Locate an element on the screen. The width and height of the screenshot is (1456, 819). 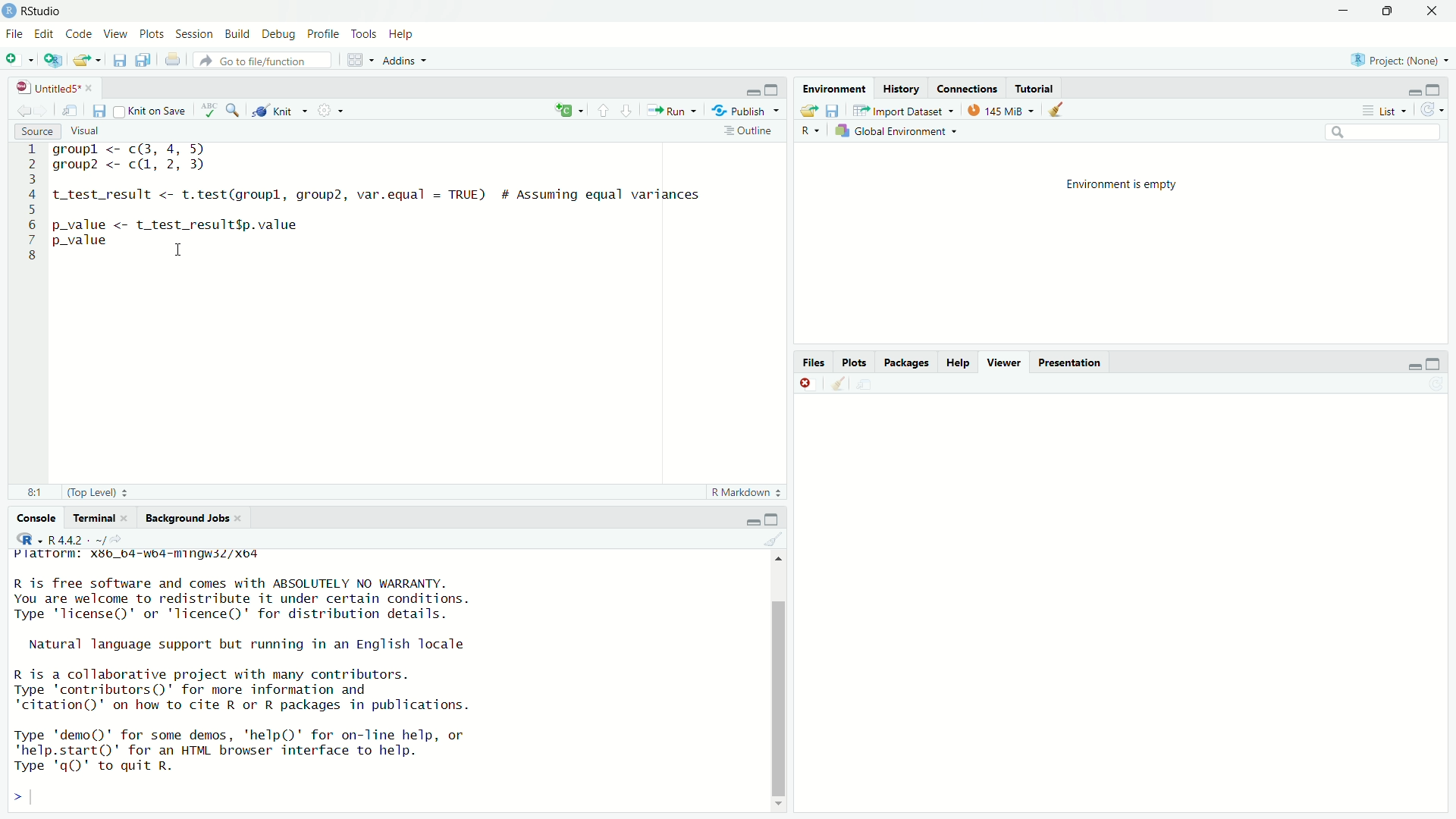
Environment is empty is located at coordinates (1121, 243).